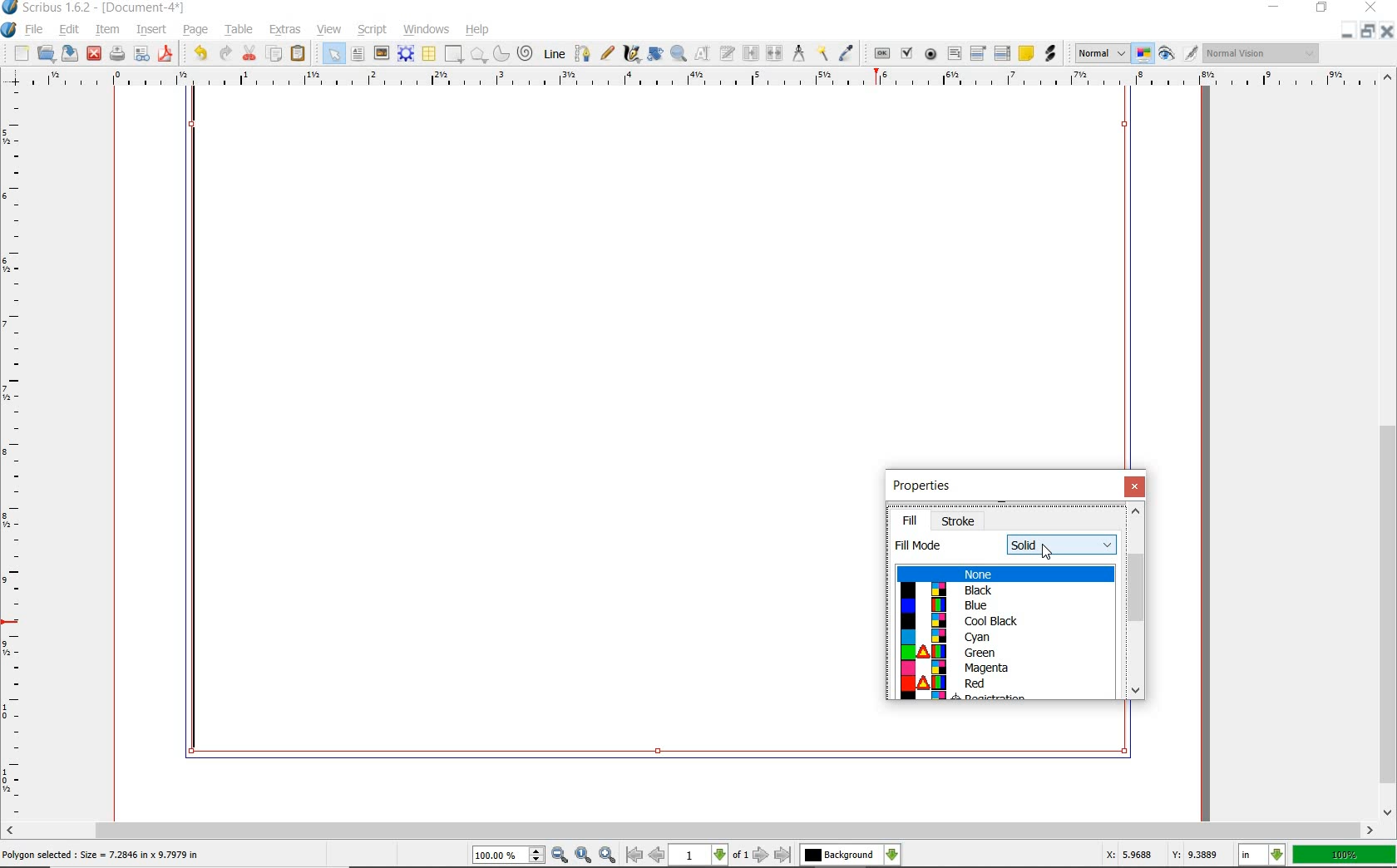 The image size is (1397, 868). What do you see at coordinates (635, 856) in the screenshot?
I see `go to first page` at bounding box center [635, 856].